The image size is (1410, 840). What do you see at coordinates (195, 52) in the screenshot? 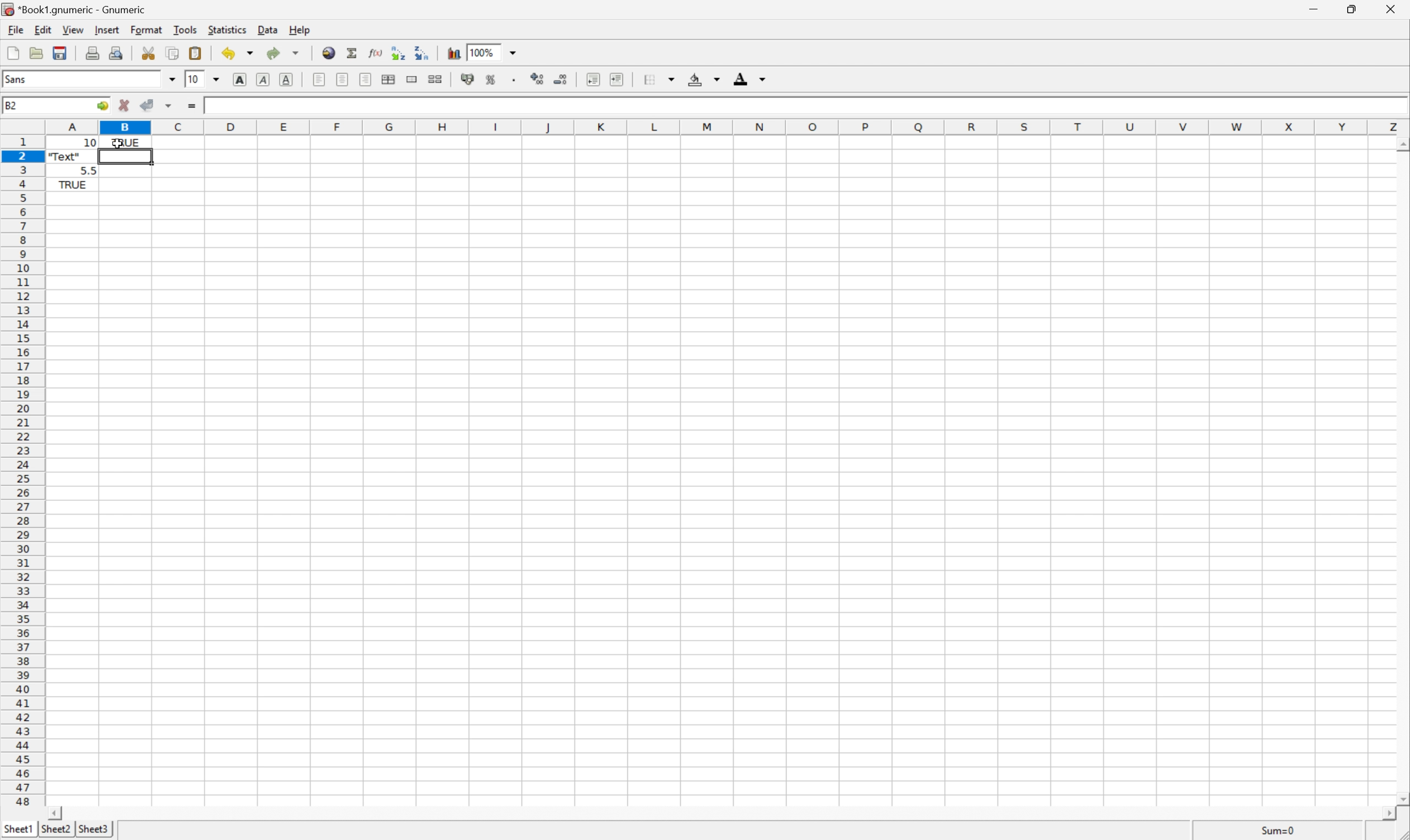
I see `Paste a clipboard` at bounding box center [195, 52].